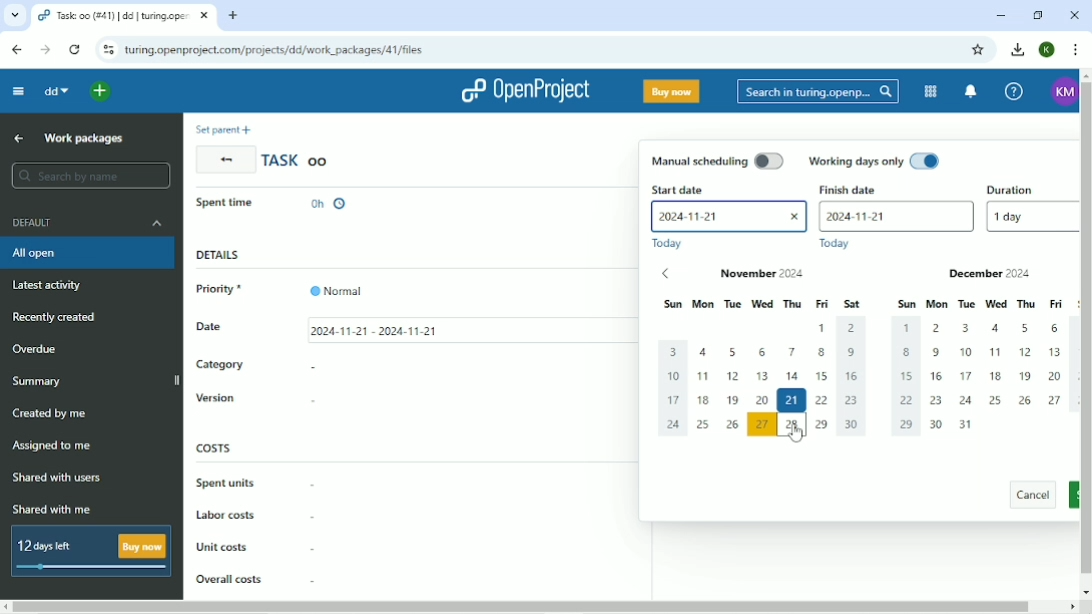 Image resolution: width=1092 pixels, height=614 pixels. What do you see at coordinates (1030, 494) in the screenshot?
I see `Cancel` at bounding box center [1030, 494].